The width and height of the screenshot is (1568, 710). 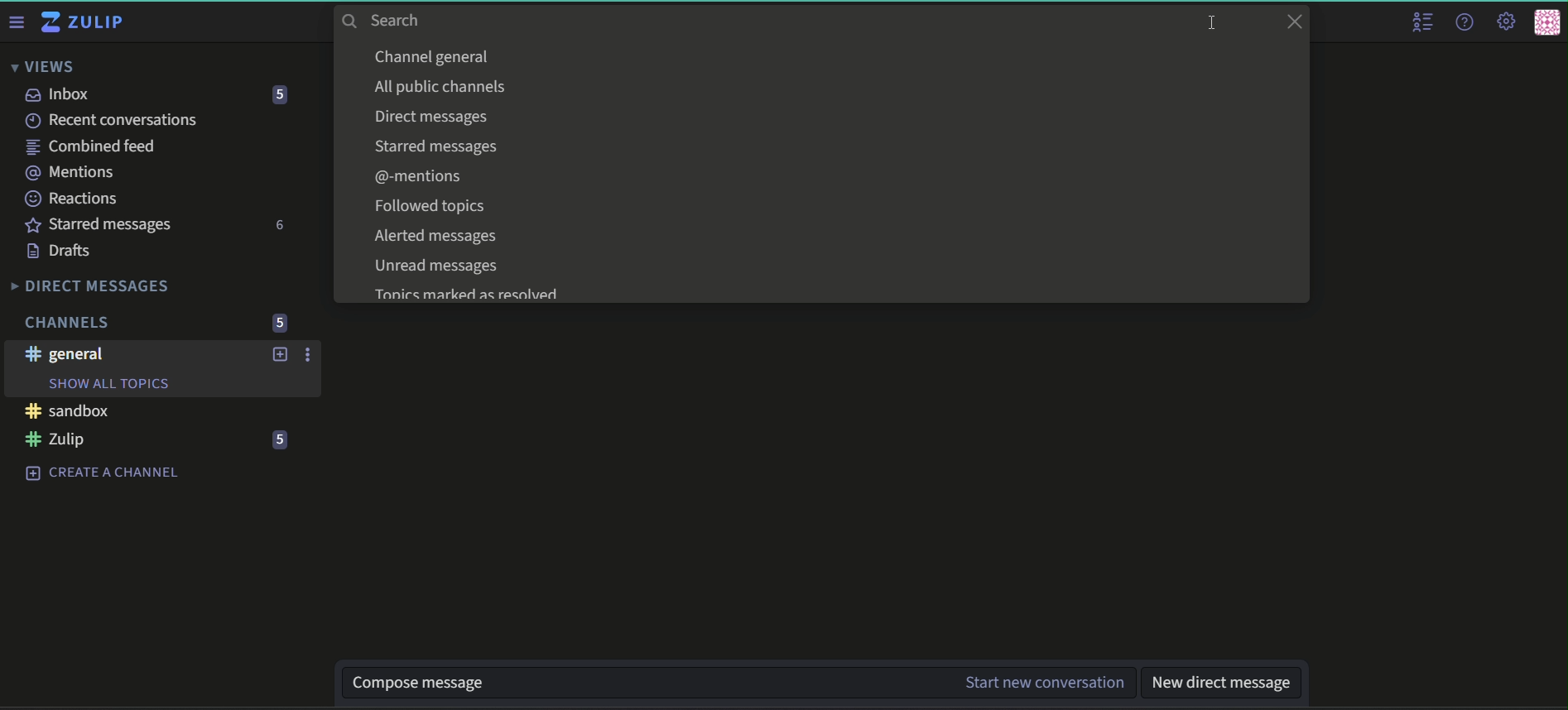 What do you see at coordinates (58, 439) in the screenshot?
I see `#Zulip` at bounding box center [58, 439].